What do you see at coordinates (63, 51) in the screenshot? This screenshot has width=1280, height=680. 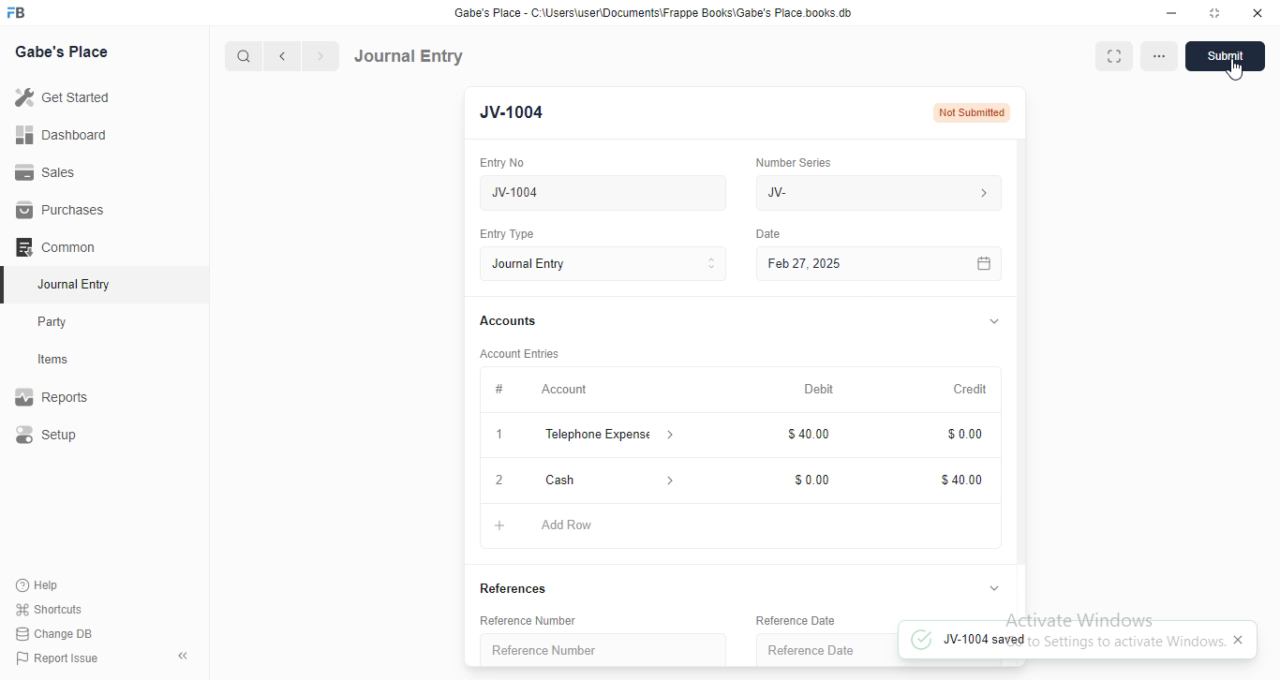 I see `Gabe's Place` at bounding box center [63, 51].